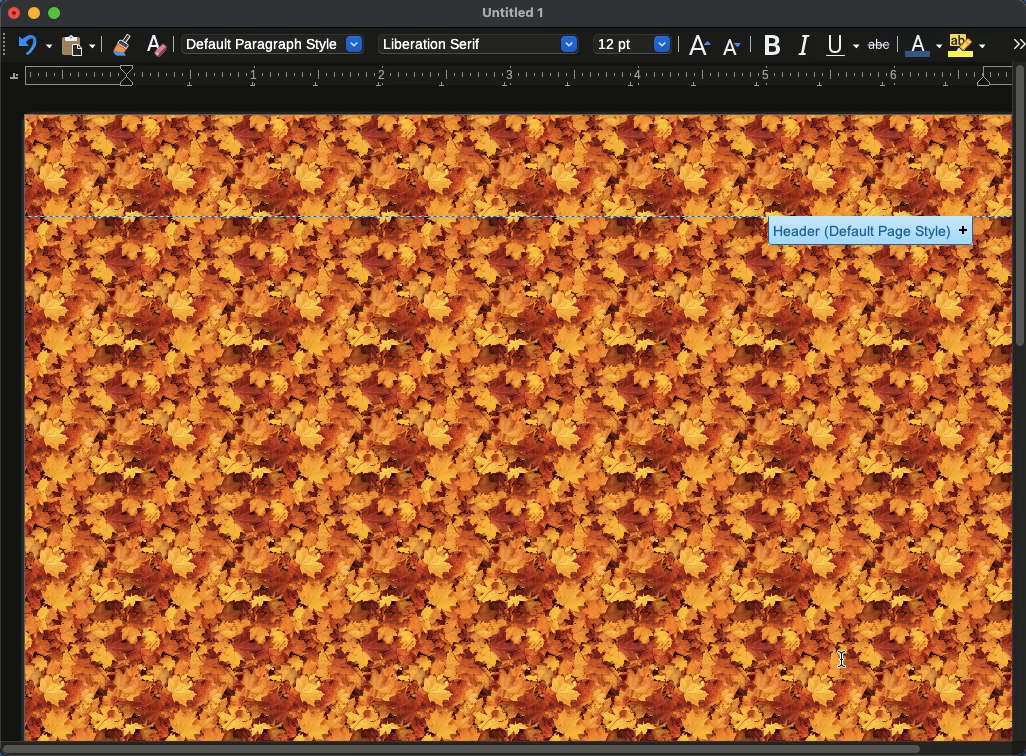 This screenshot has width=1026, height=756. What do you see at coordinates (272, 44) in the screenshot?
I see `Default paragraph style` at bounding box center [272, 44].